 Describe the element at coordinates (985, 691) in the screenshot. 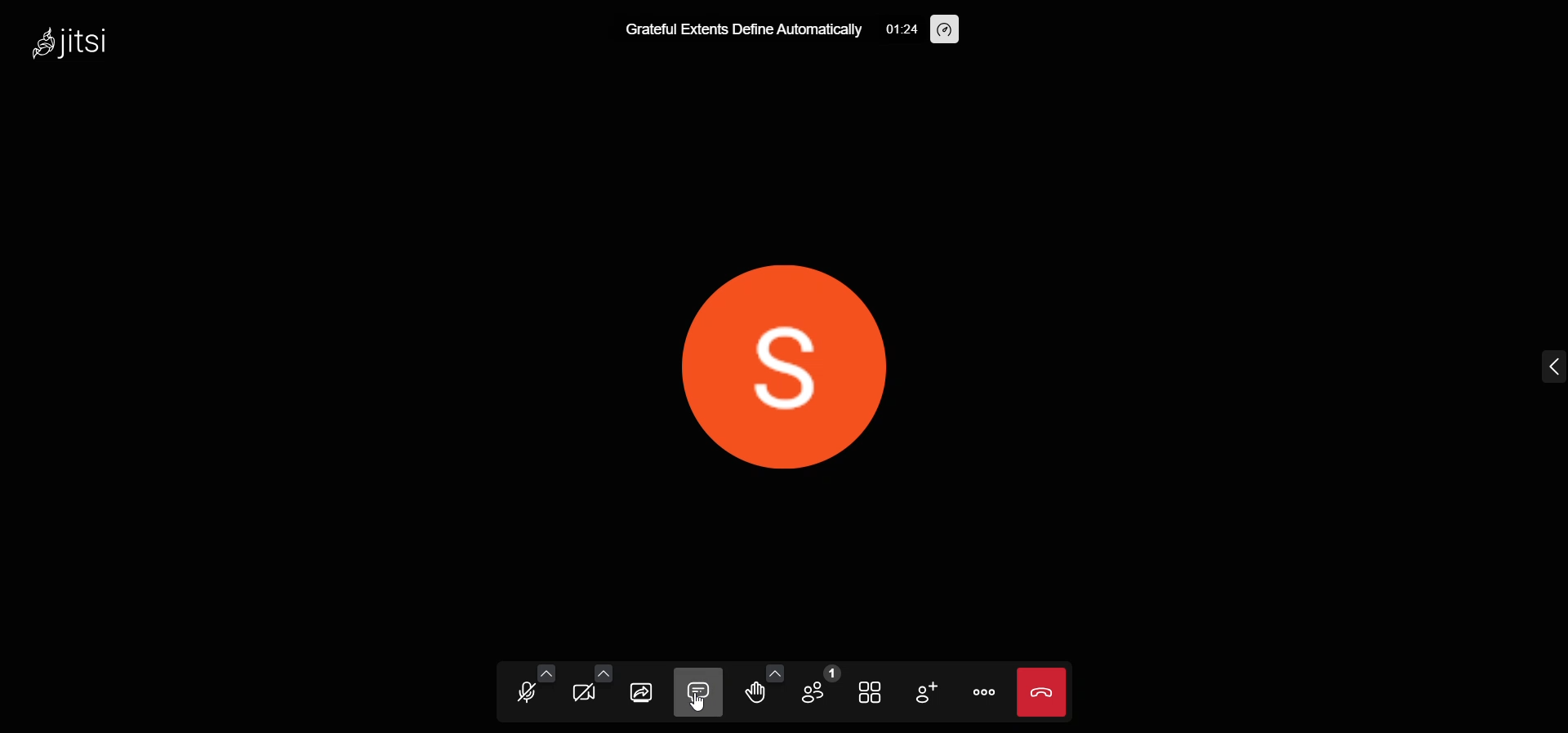

I see `more` at that location.